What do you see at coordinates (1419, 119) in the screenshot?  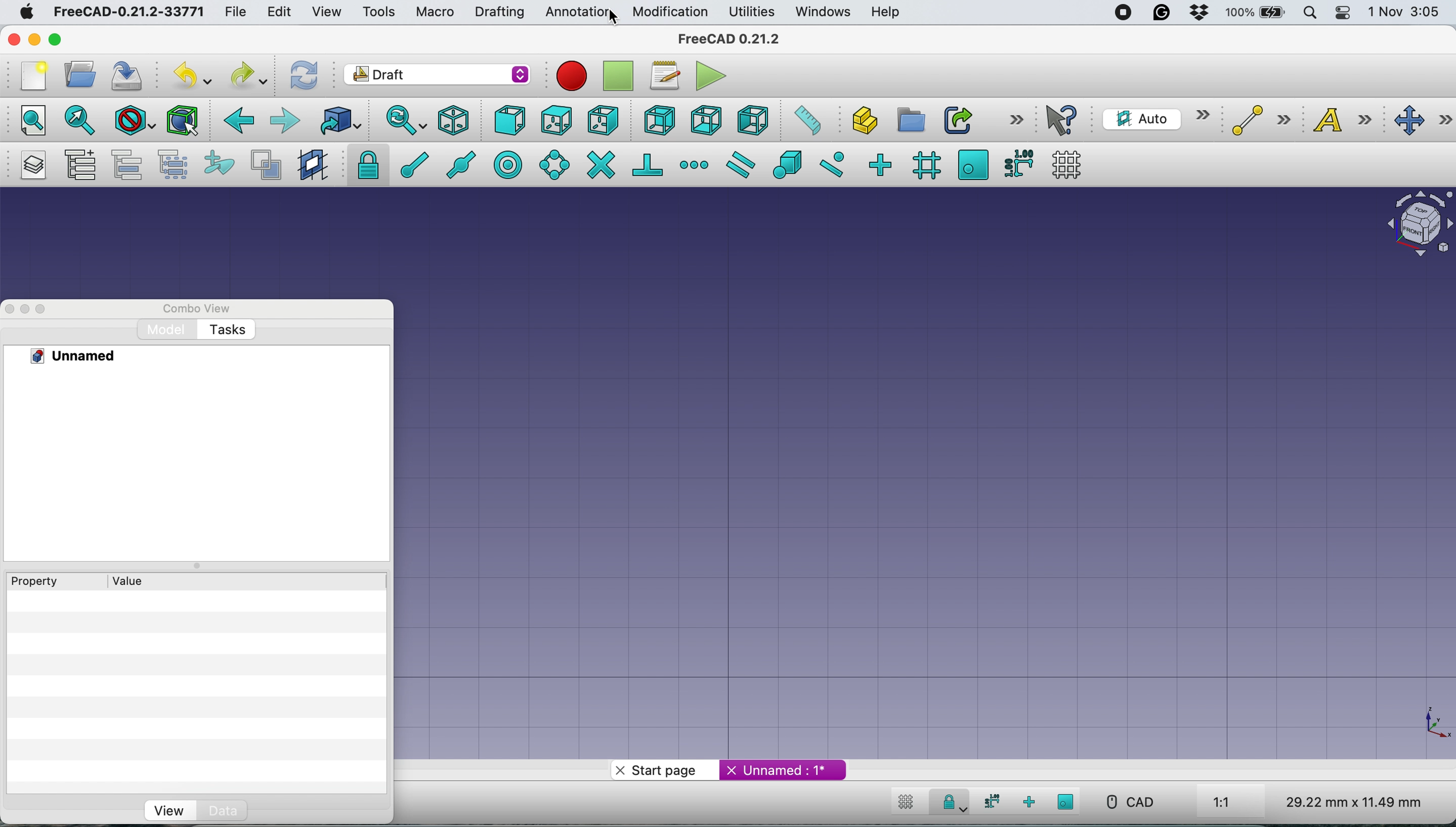 I see `move` at bounding box center [1419, 119].